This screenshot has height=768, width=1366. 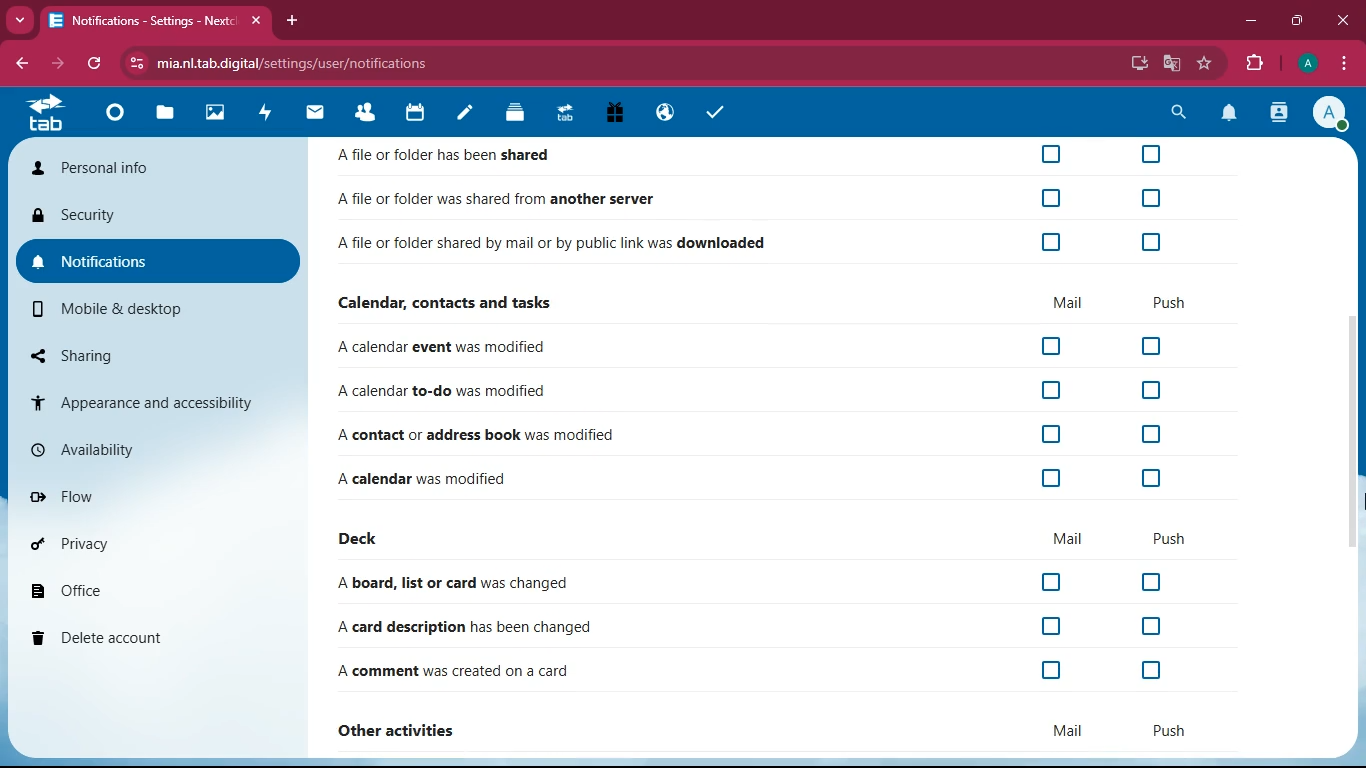 What do you see at coordinates (304, 64) in the screenshot?
I see `mia.nl.tab.digital/settings/user/notifications` at bounding box center [304, 64].